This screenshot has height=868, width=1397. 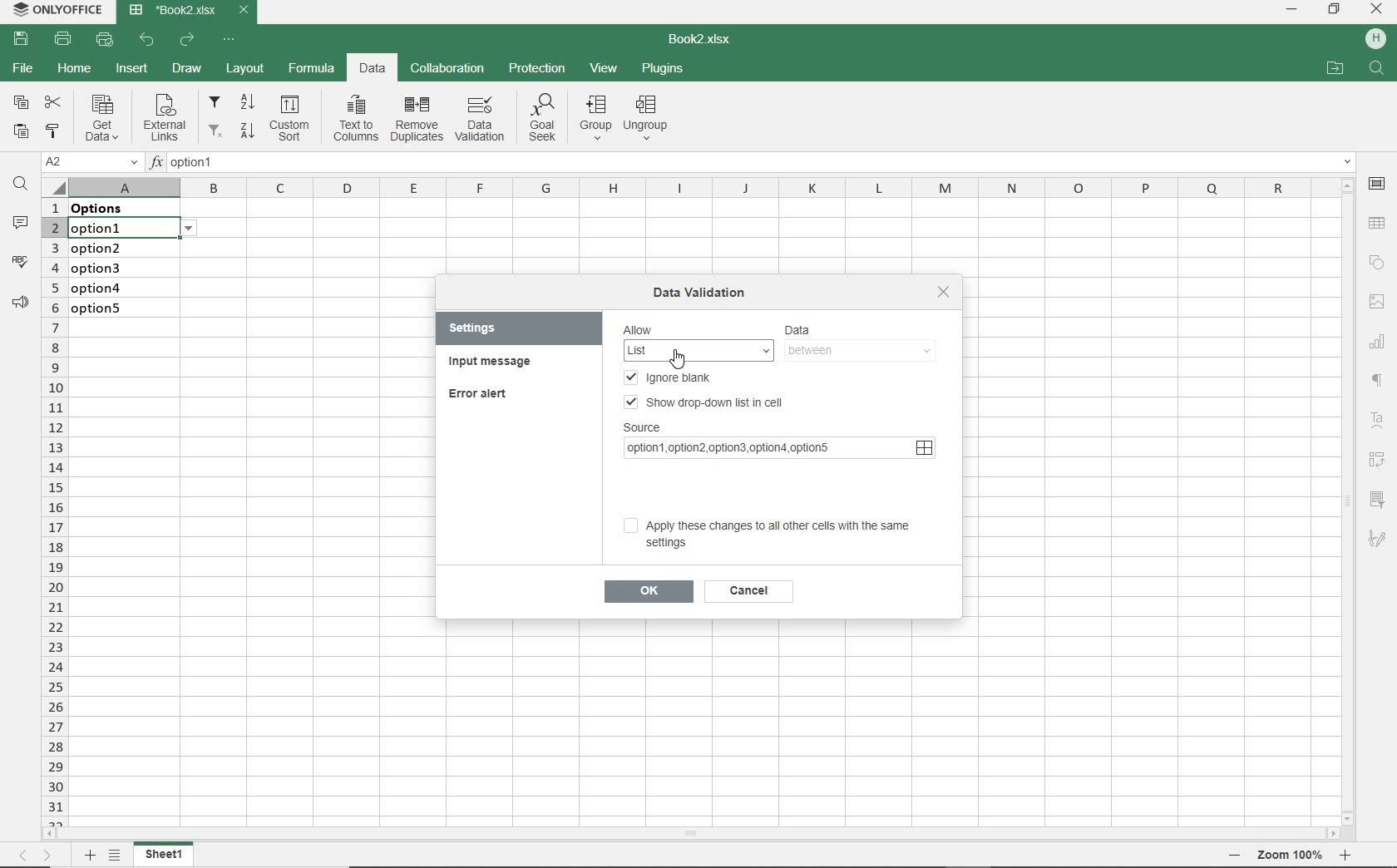 What do you see at coordinates (1379, 263) in the screenshot?
I see `SHAPE` at bounding box center [1379, 263].